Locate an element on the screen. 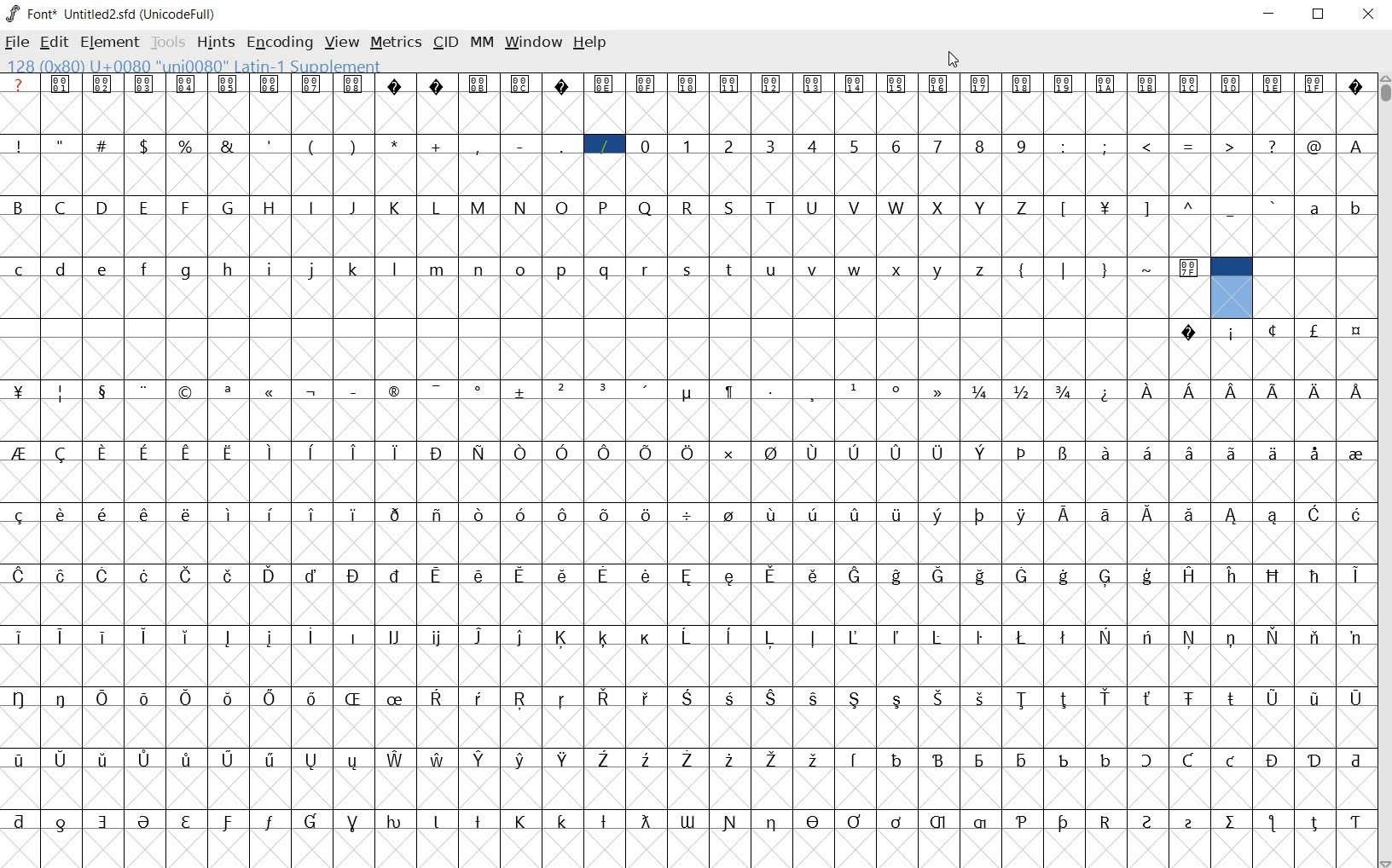 Image resolution: width=1392 pixels, height=868 pixels. Symbol is located at coordinates (1354, 83).